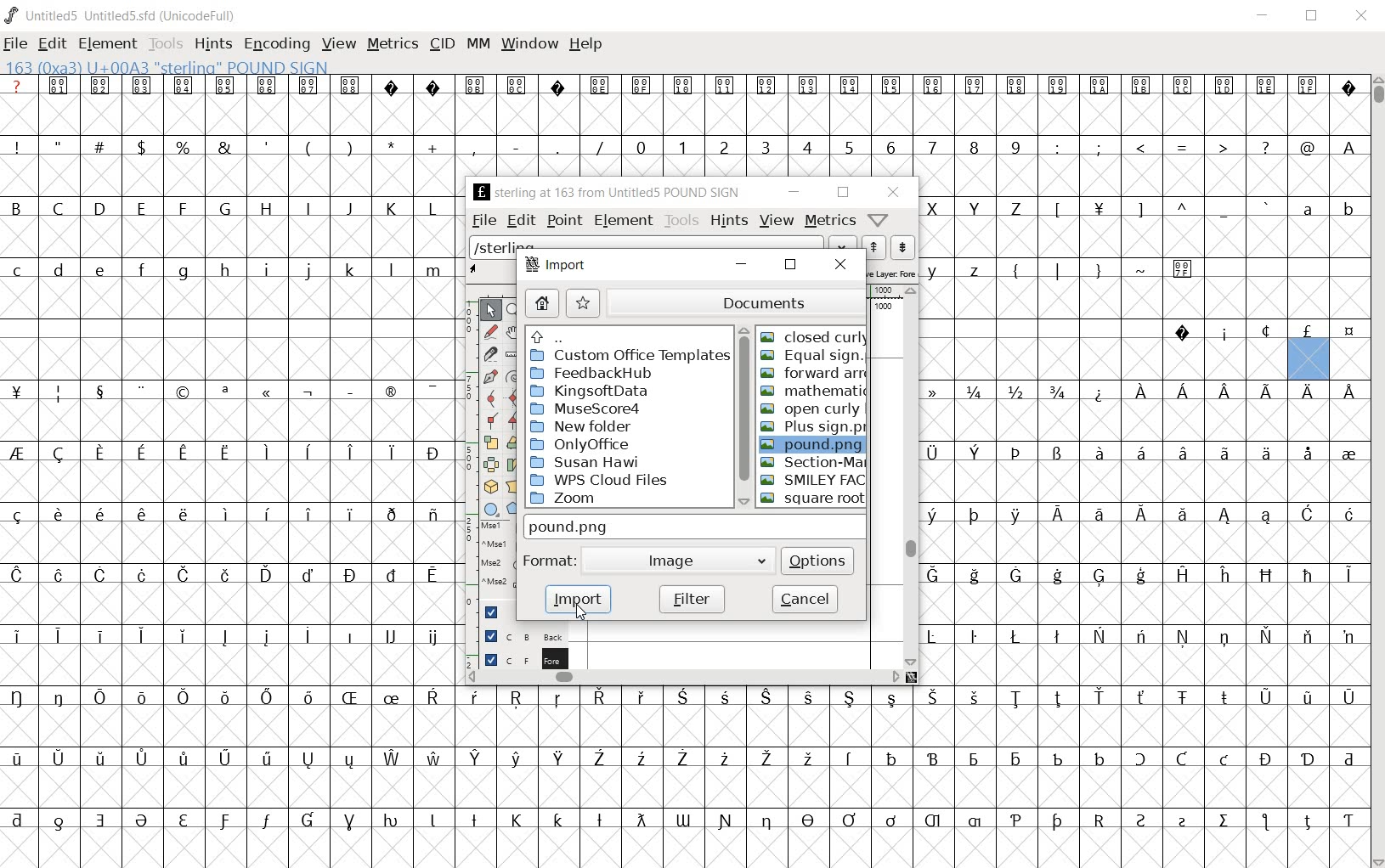  Describe the element at coordinates (933, 697) in the screenshot. I see `` at that location.